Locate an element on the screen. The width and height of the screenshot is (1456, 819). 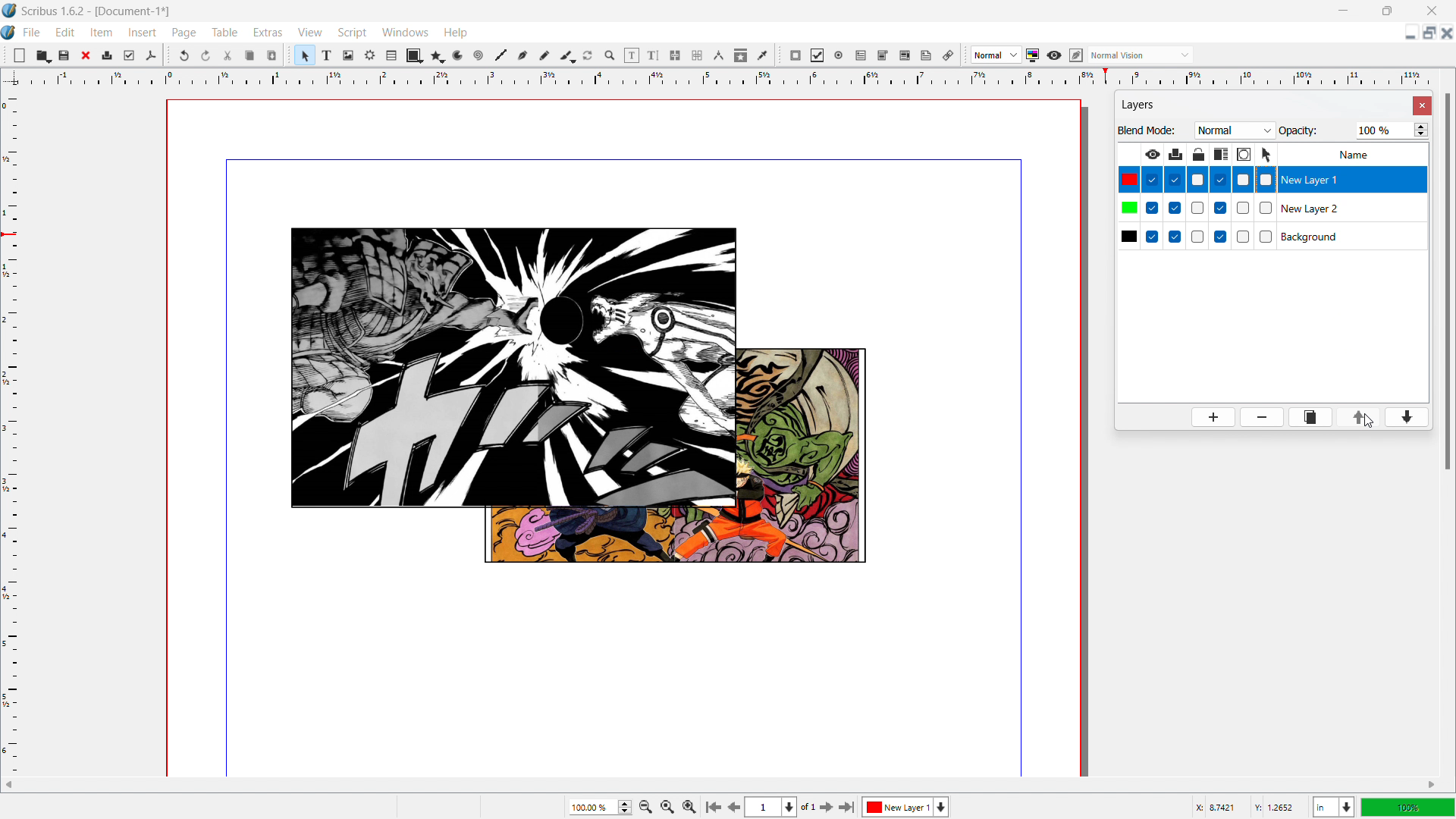
copy is located at coordinates (249, 55).